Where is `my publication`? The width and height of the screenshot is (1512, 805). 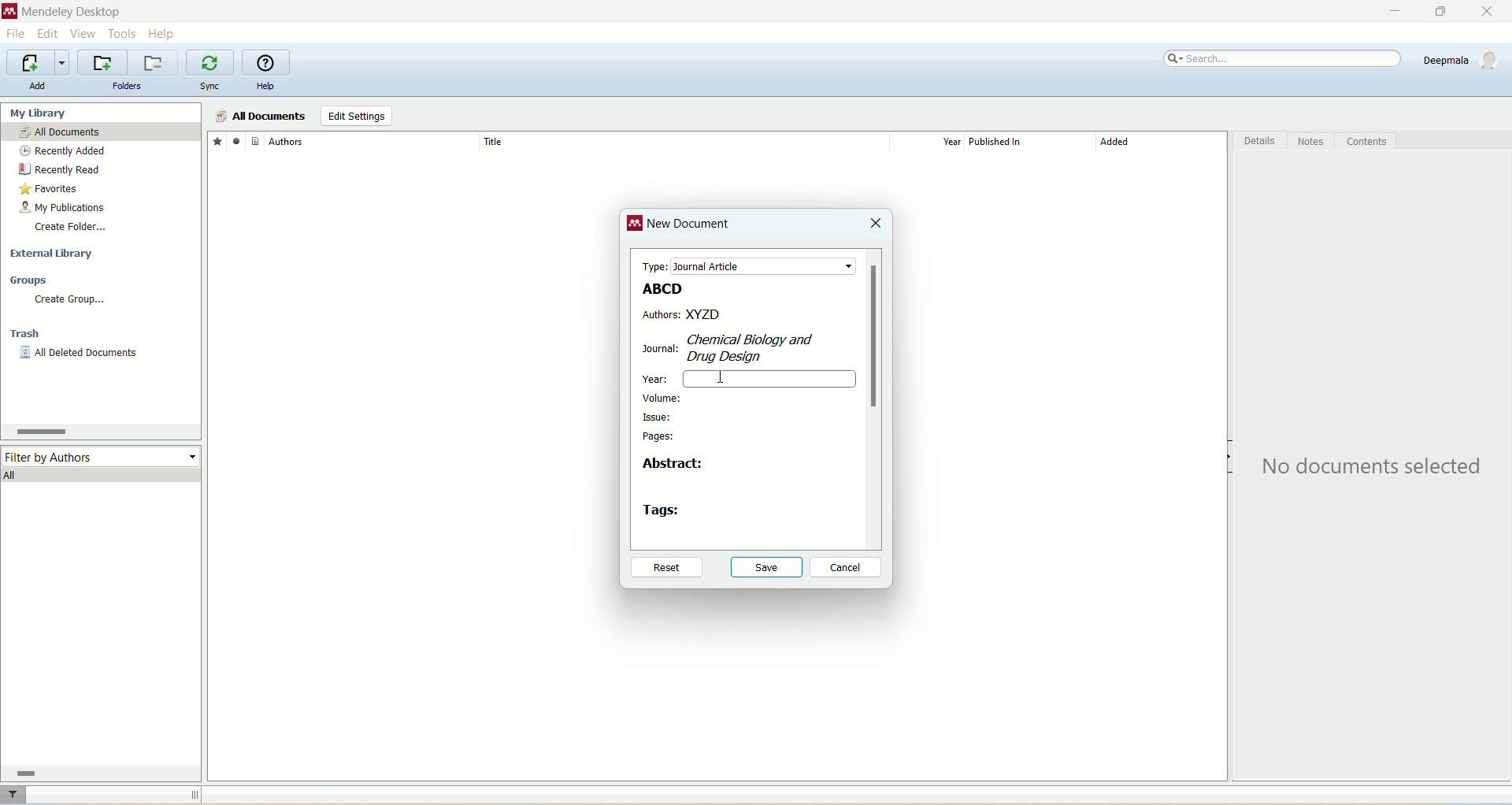 my publication is located at coordinates (65, 209).